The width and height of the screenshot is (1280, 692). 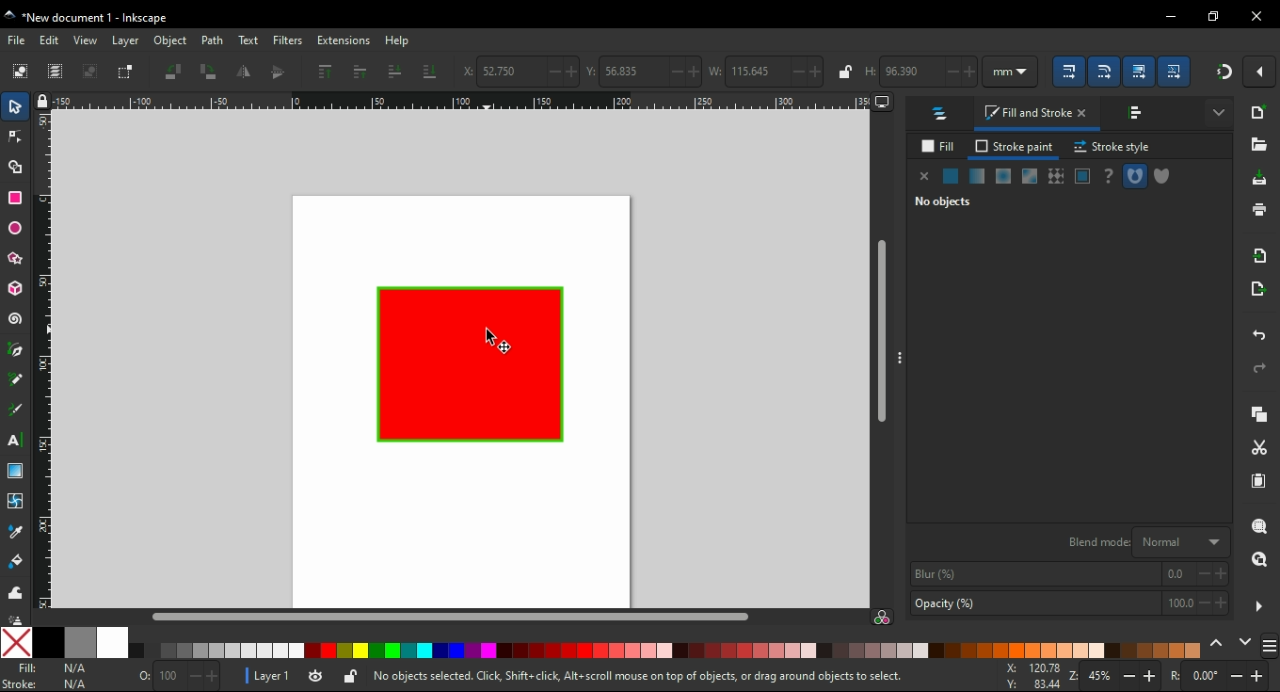 I want to click on visibility, so click(x=314, y=677).